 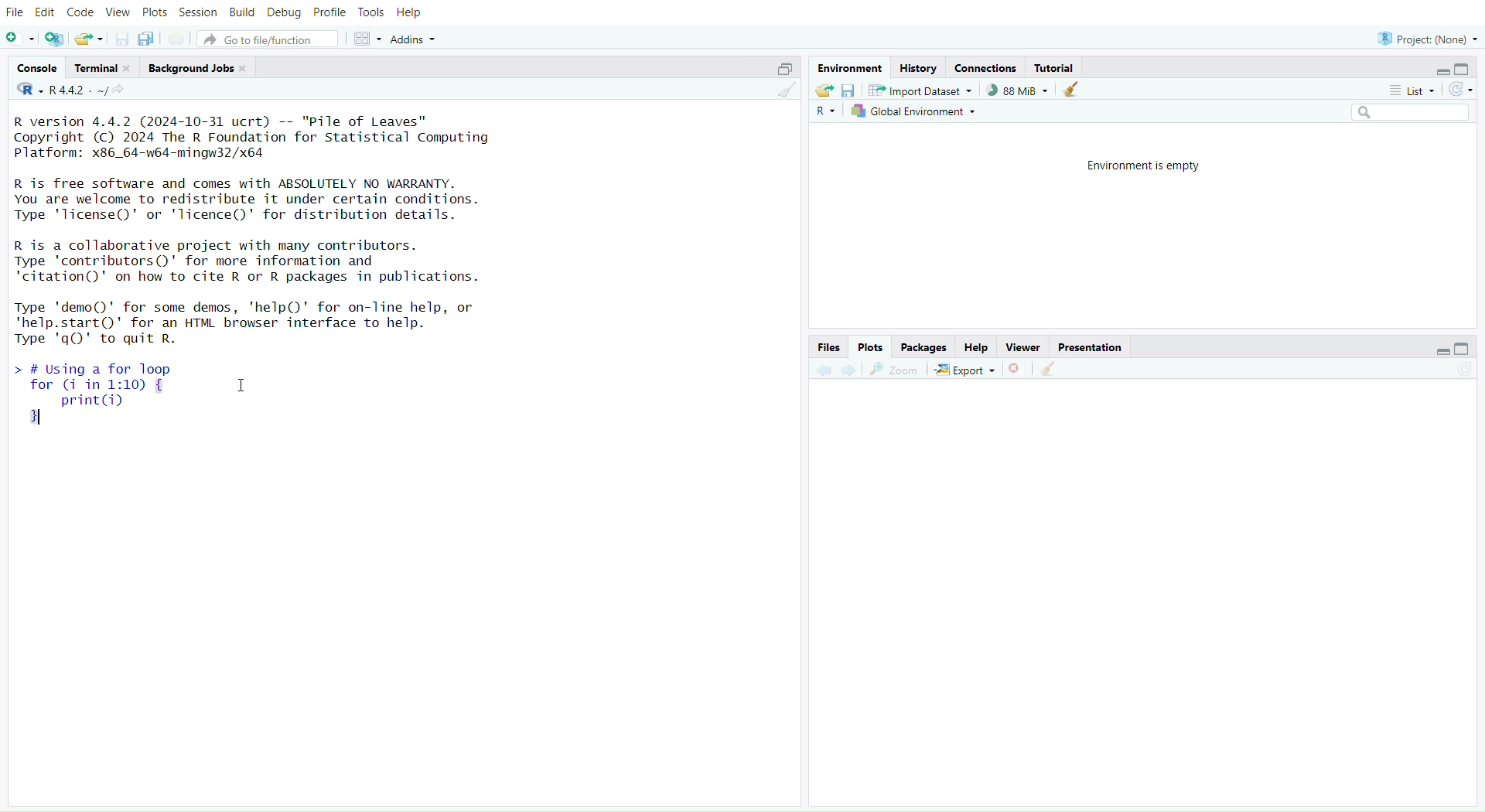 What do you see at coordinates (17, 12) in the screenshot?
I see `file` at bounding box center [17, 12].